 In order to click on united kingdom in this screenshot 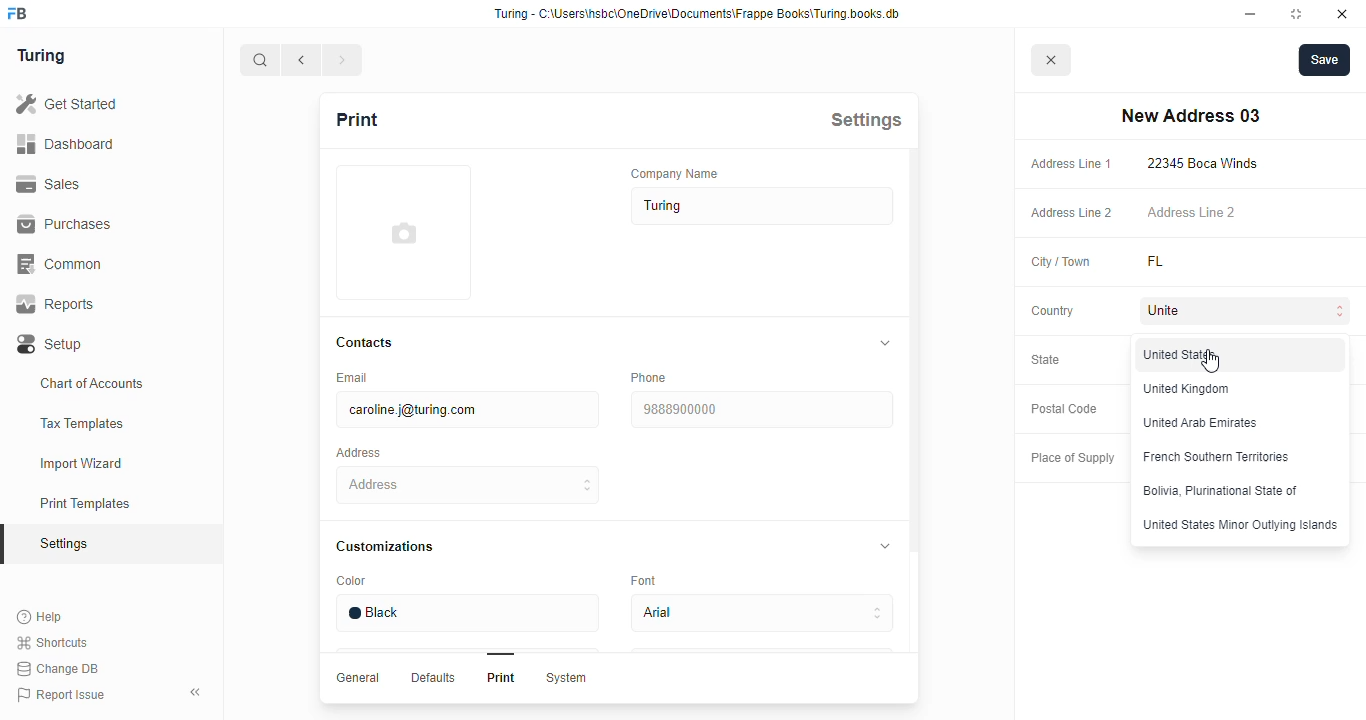, I will do `click(1187, 389)`.